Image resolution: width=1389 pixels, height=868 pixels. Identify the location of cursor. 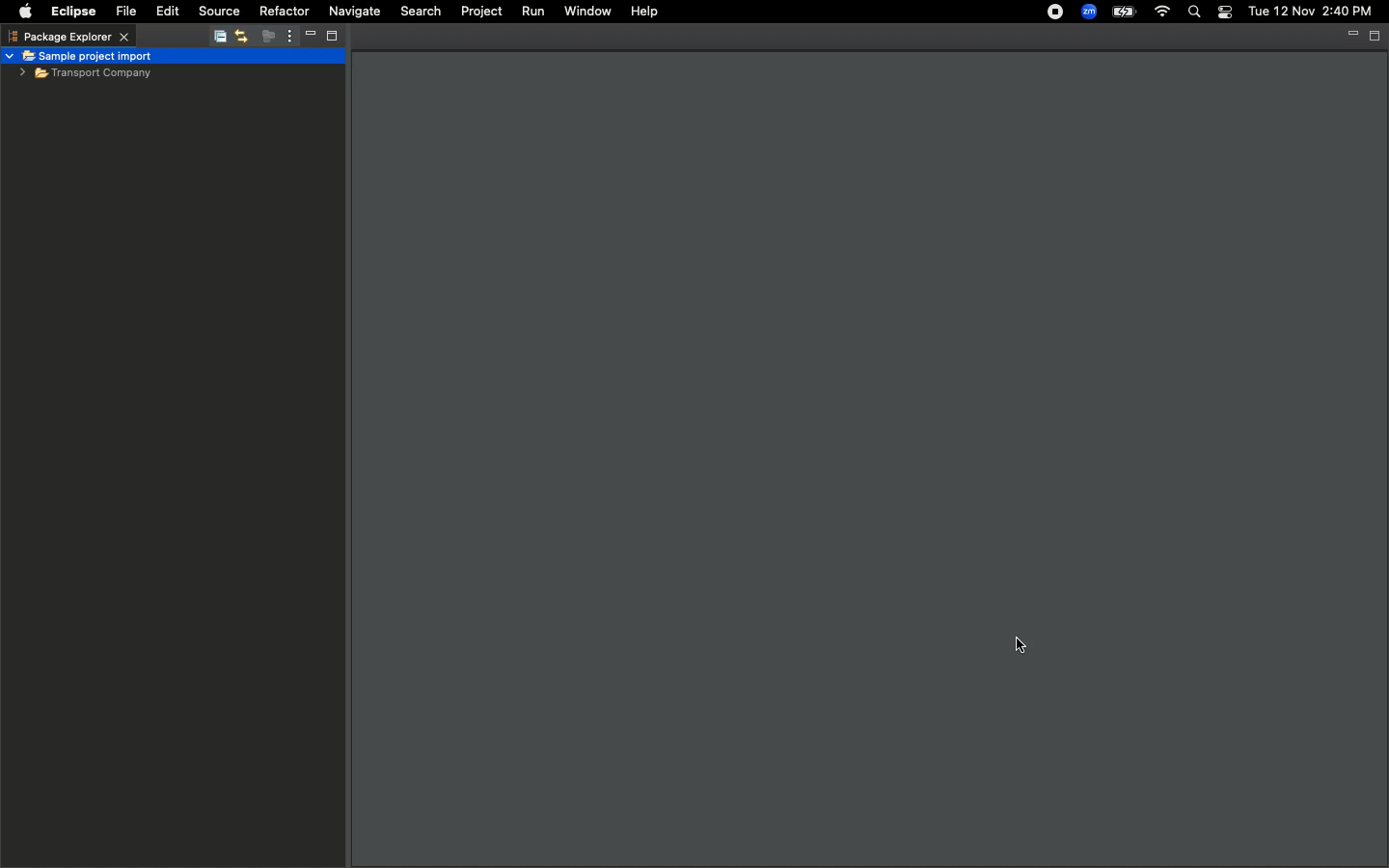
(999, 643).